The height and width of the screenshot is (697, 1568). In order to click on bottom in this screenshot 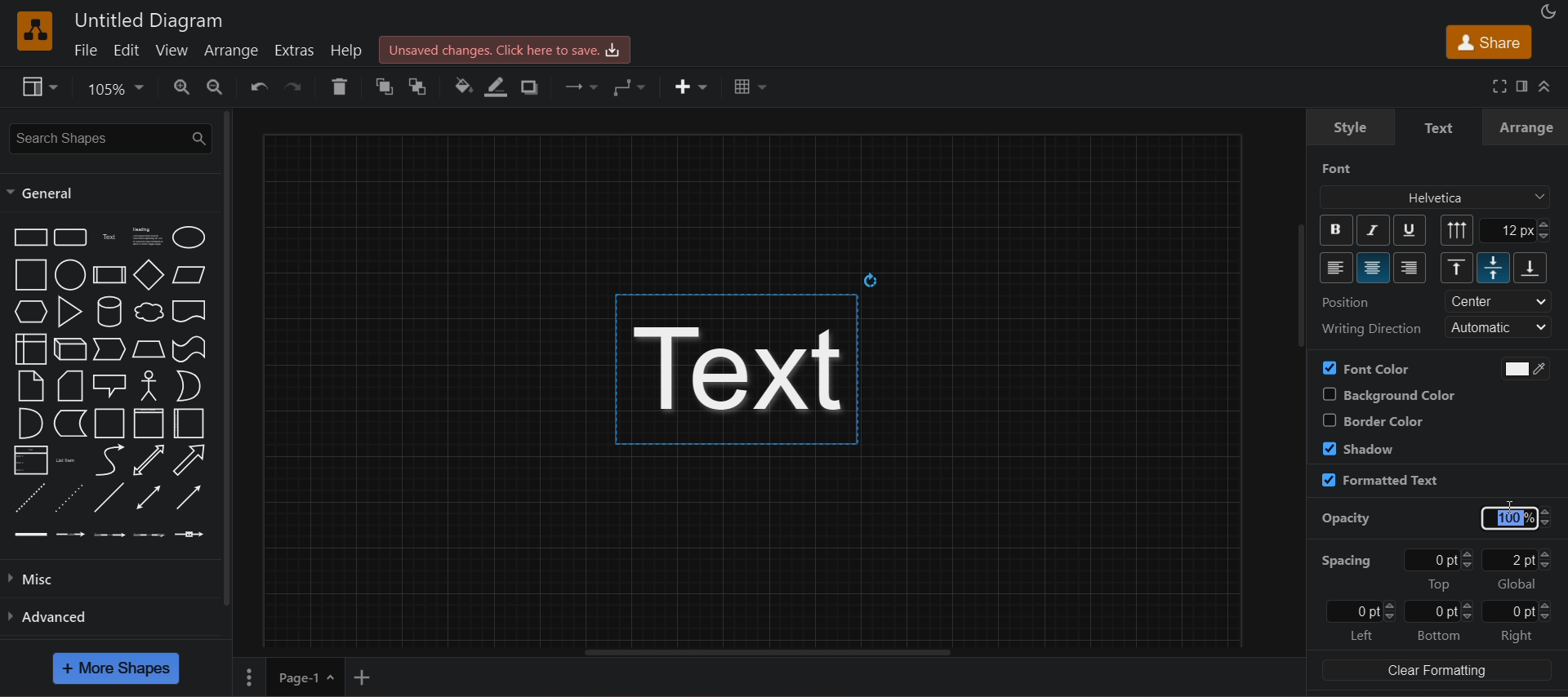, I will do `click(1531, 268)`.